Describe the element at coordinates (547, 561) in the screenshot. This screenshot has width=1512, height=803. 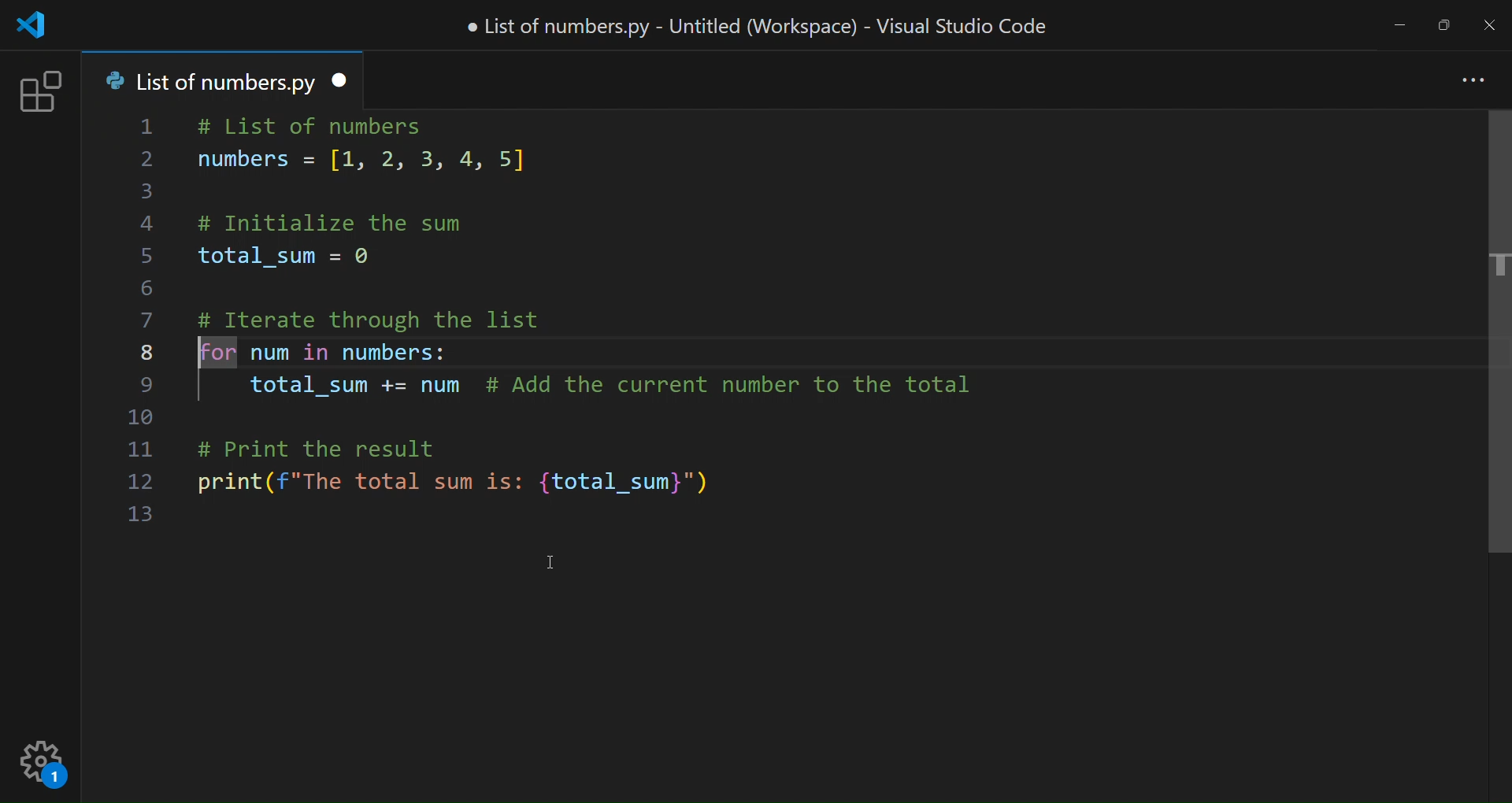
I see `cursor` at that location.